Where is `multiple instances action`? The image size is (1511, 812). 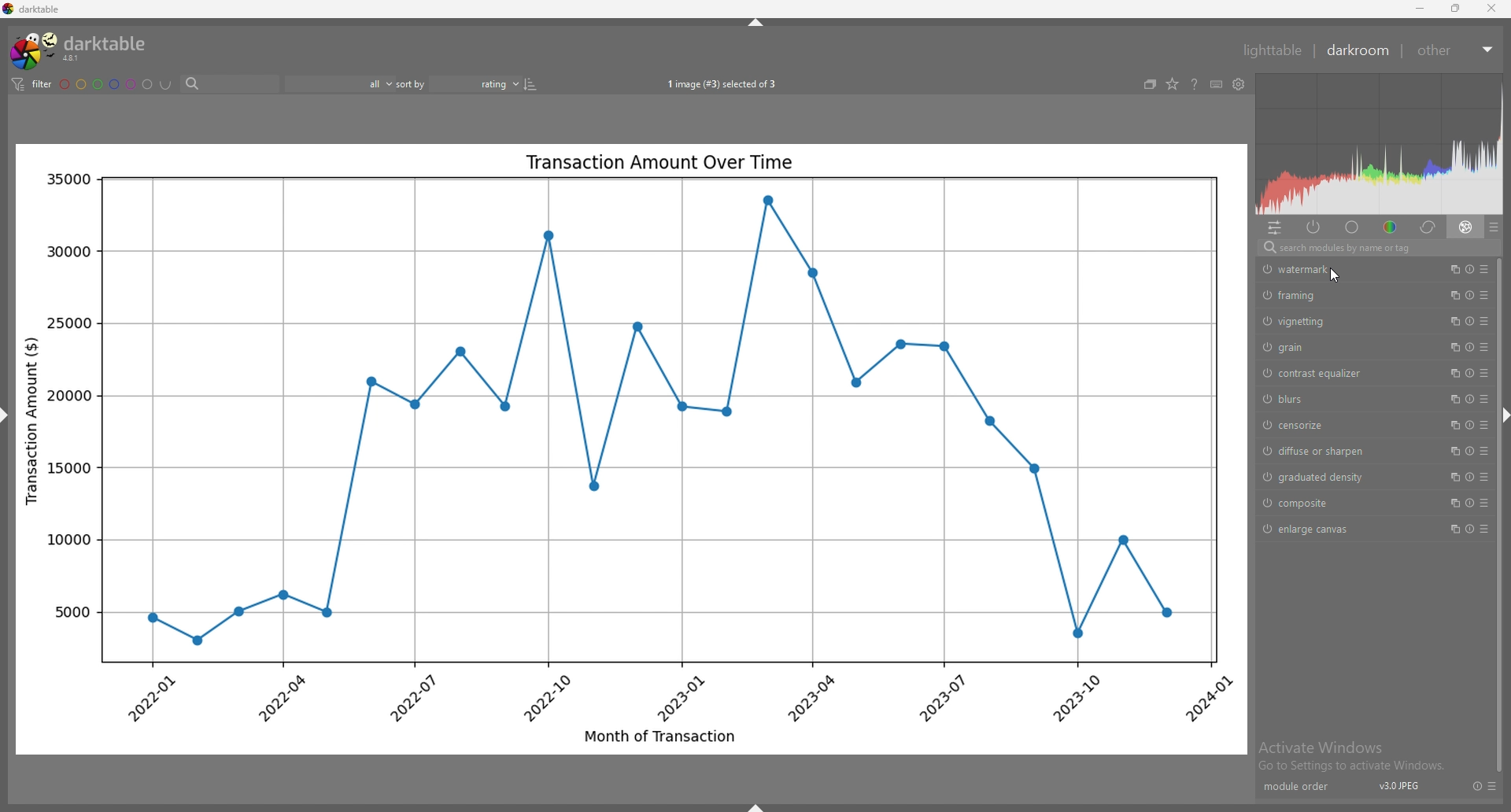 multiple instances action is located at coordinates (1454, 528).